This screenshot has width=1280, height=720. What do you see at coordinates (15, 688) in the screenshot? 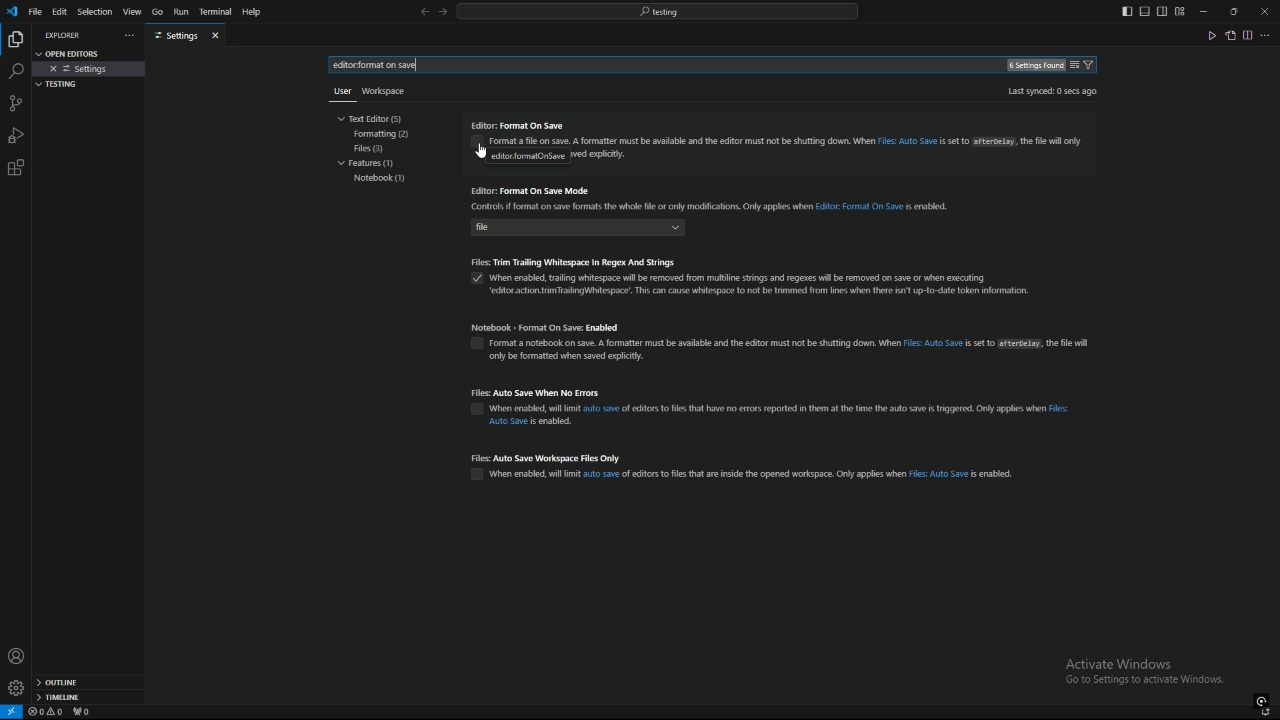
I see `settings` at bounding box center [15, 688].